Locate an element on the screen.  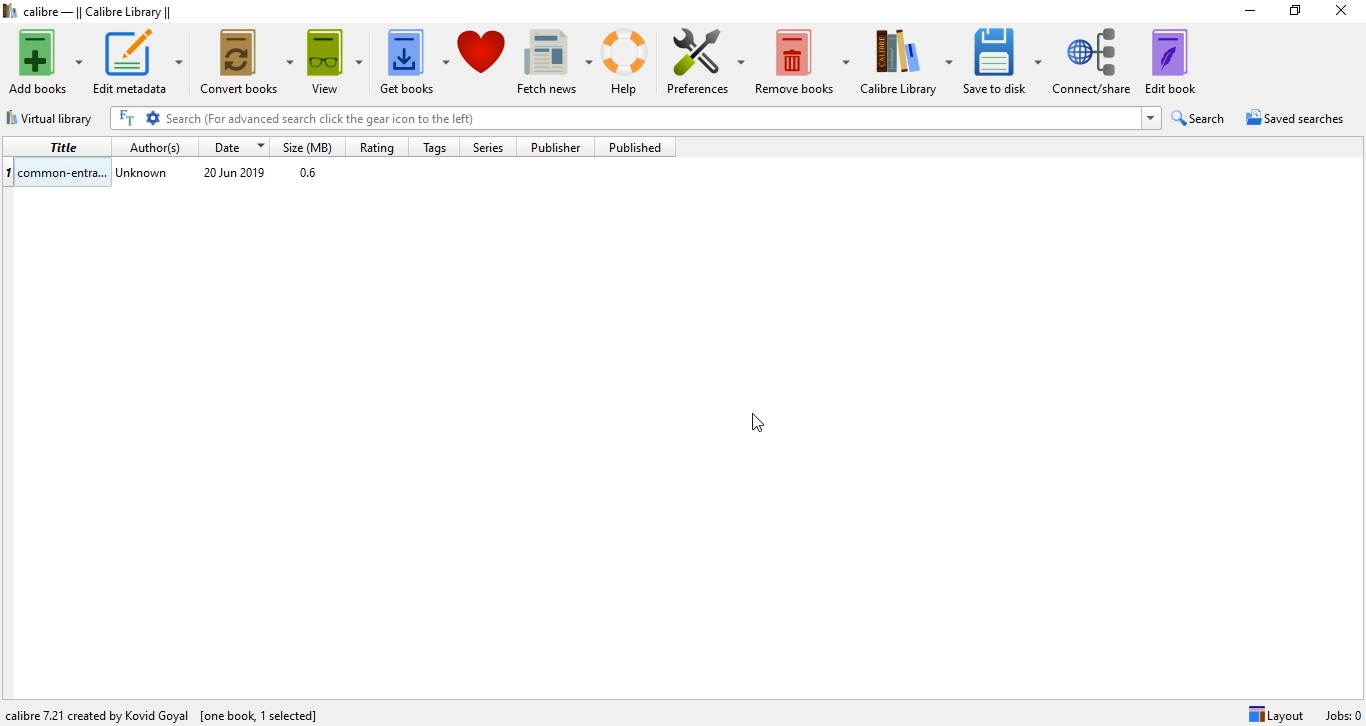
Rating is located at coordinates (379, 144).